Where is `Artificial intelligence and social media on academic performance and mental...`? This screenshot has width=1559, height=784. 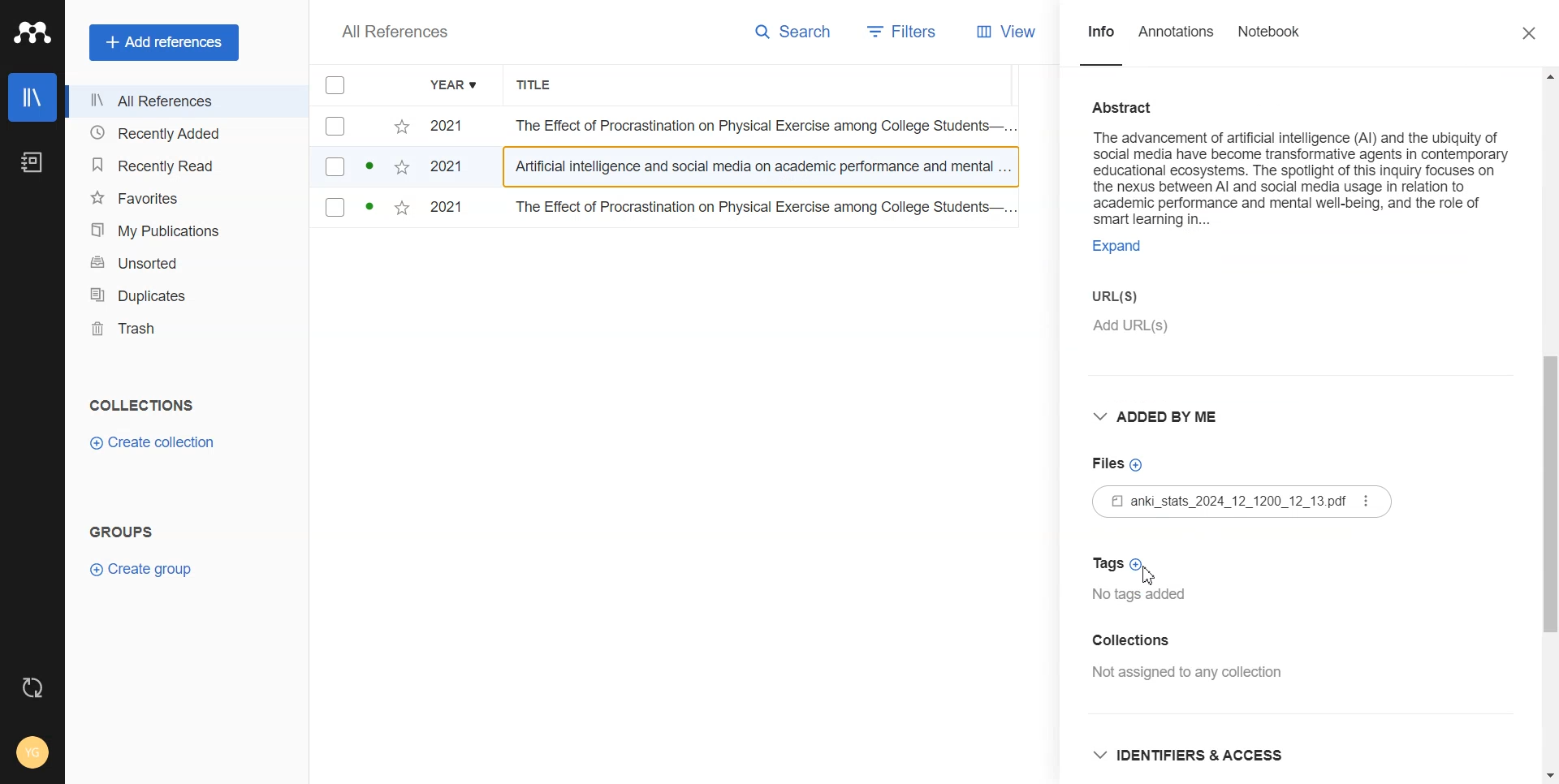
Artificial intelligence and social media on academic performance and mental... is located at coordinates (763, 170).